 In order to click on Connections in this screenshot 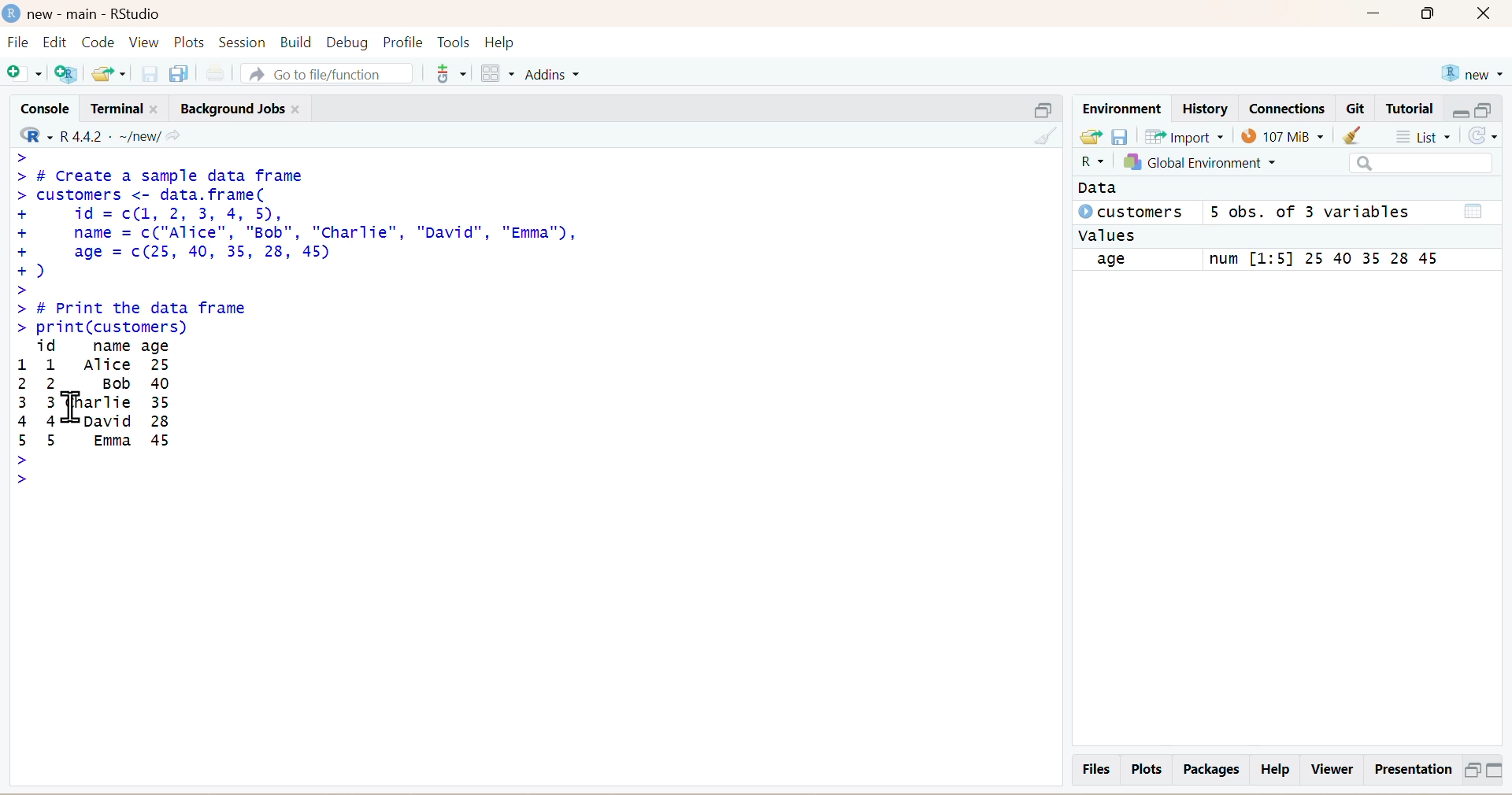, I will do `click(1286, 107)`.